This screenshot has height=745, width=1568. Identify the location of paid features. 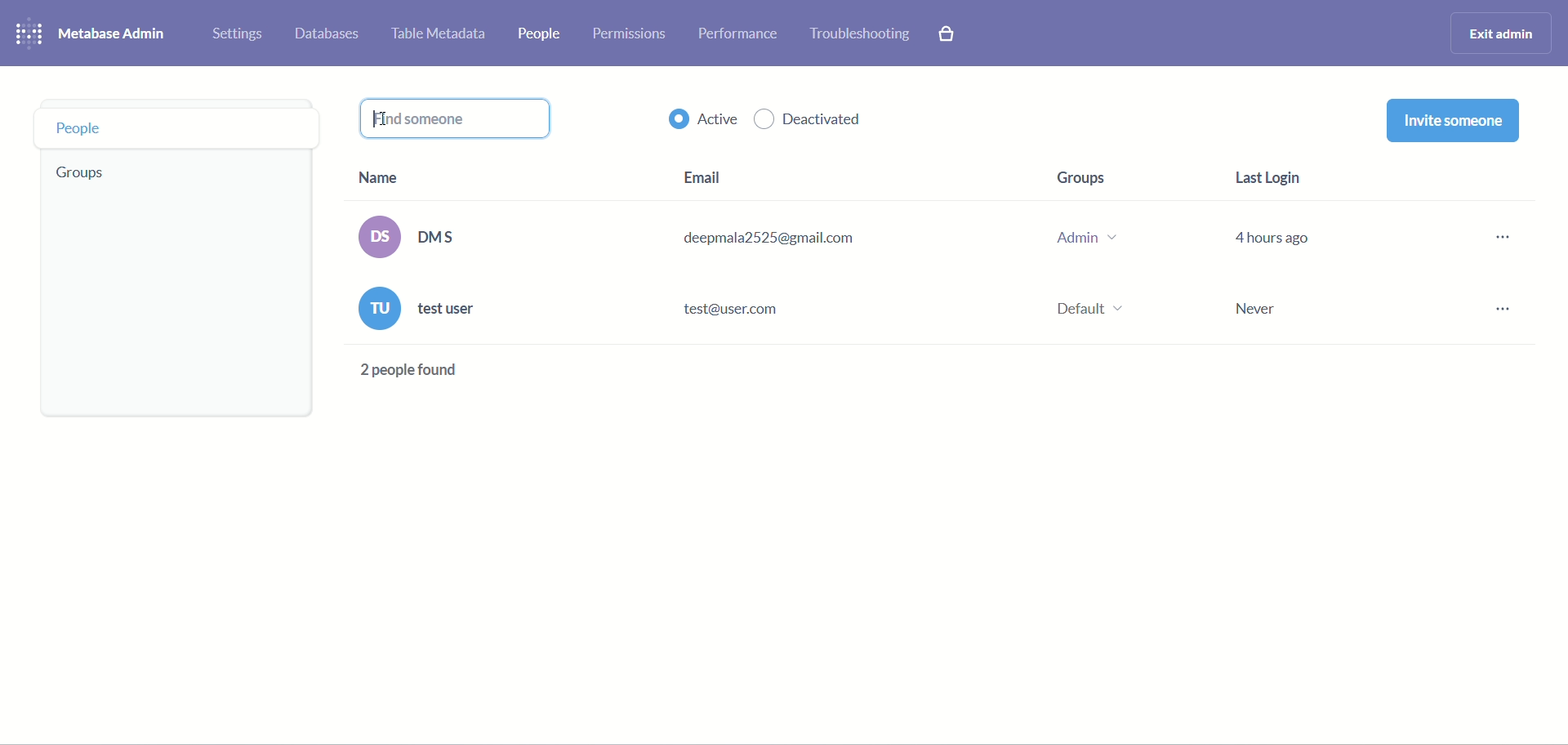
(947, 33).